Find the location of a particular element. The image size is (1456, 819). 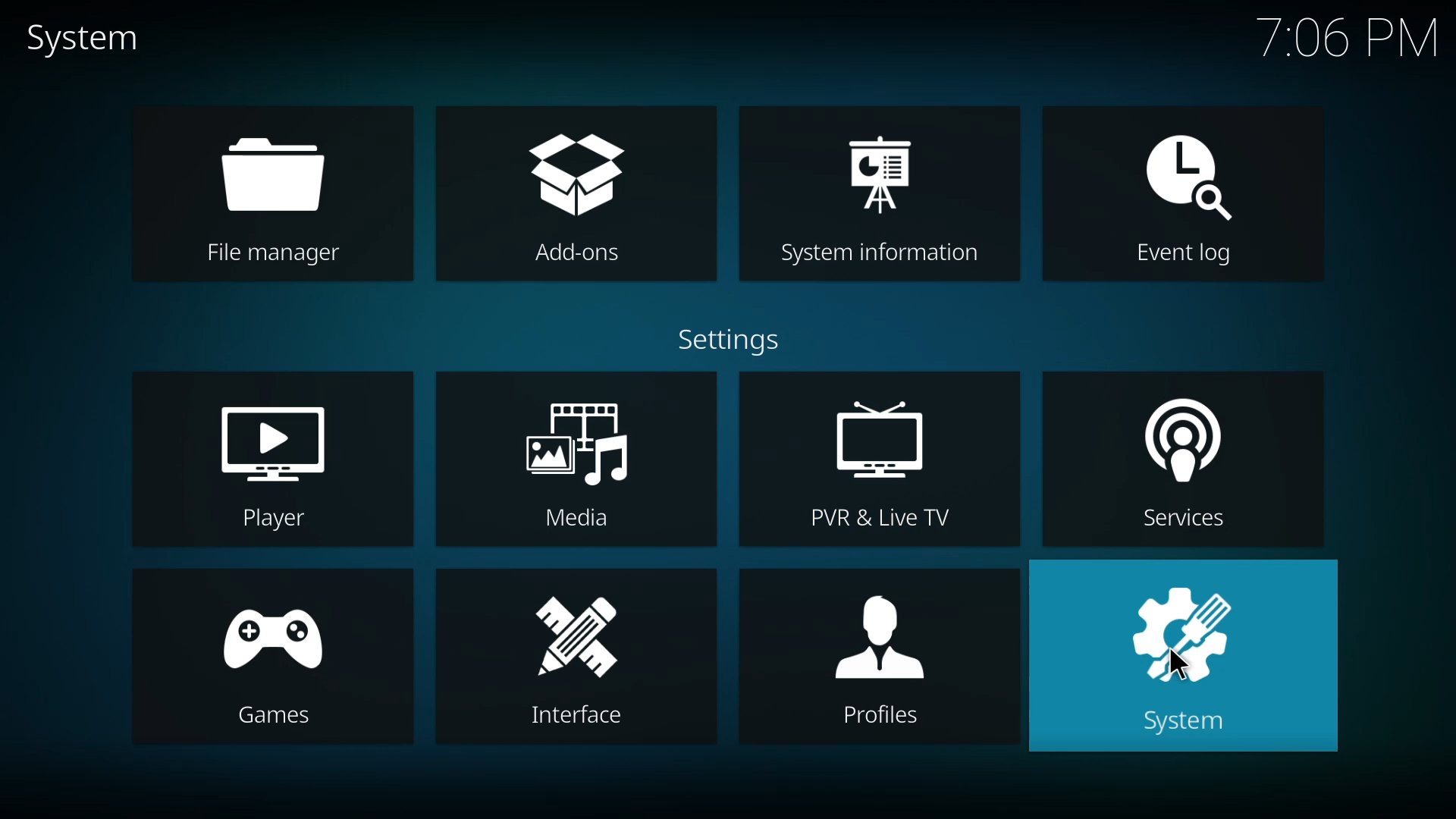

services is located at coordinates (1172, 460).